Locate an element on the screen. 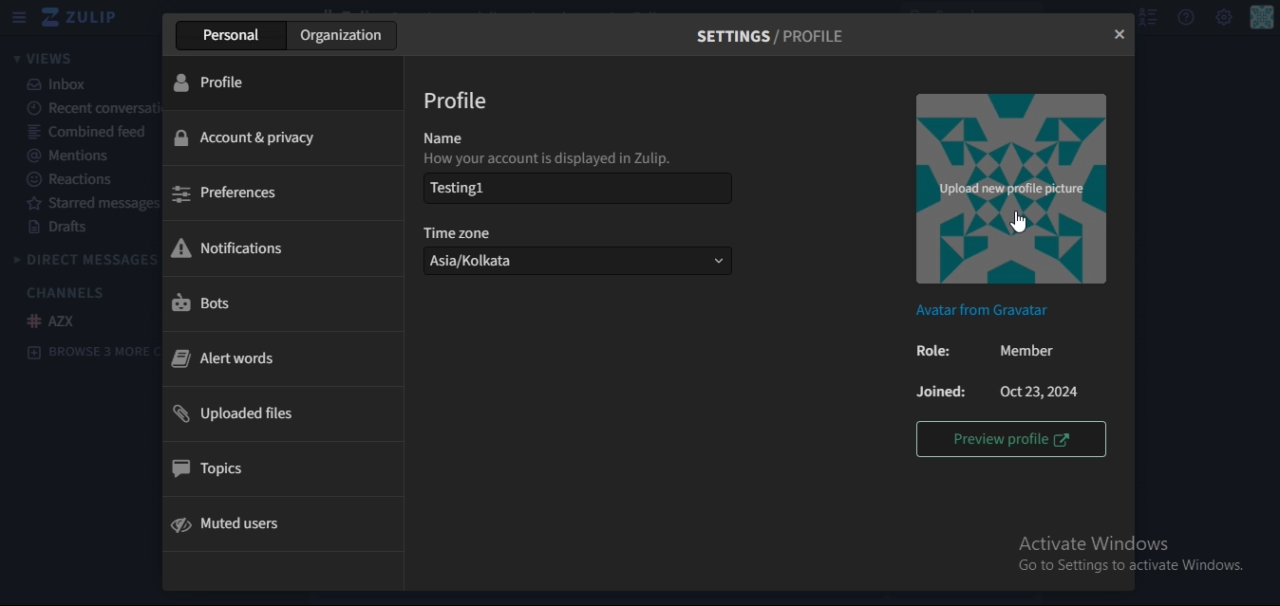 This screenshot has width=1280, height=606. channels is located at coordinates (62, 288).